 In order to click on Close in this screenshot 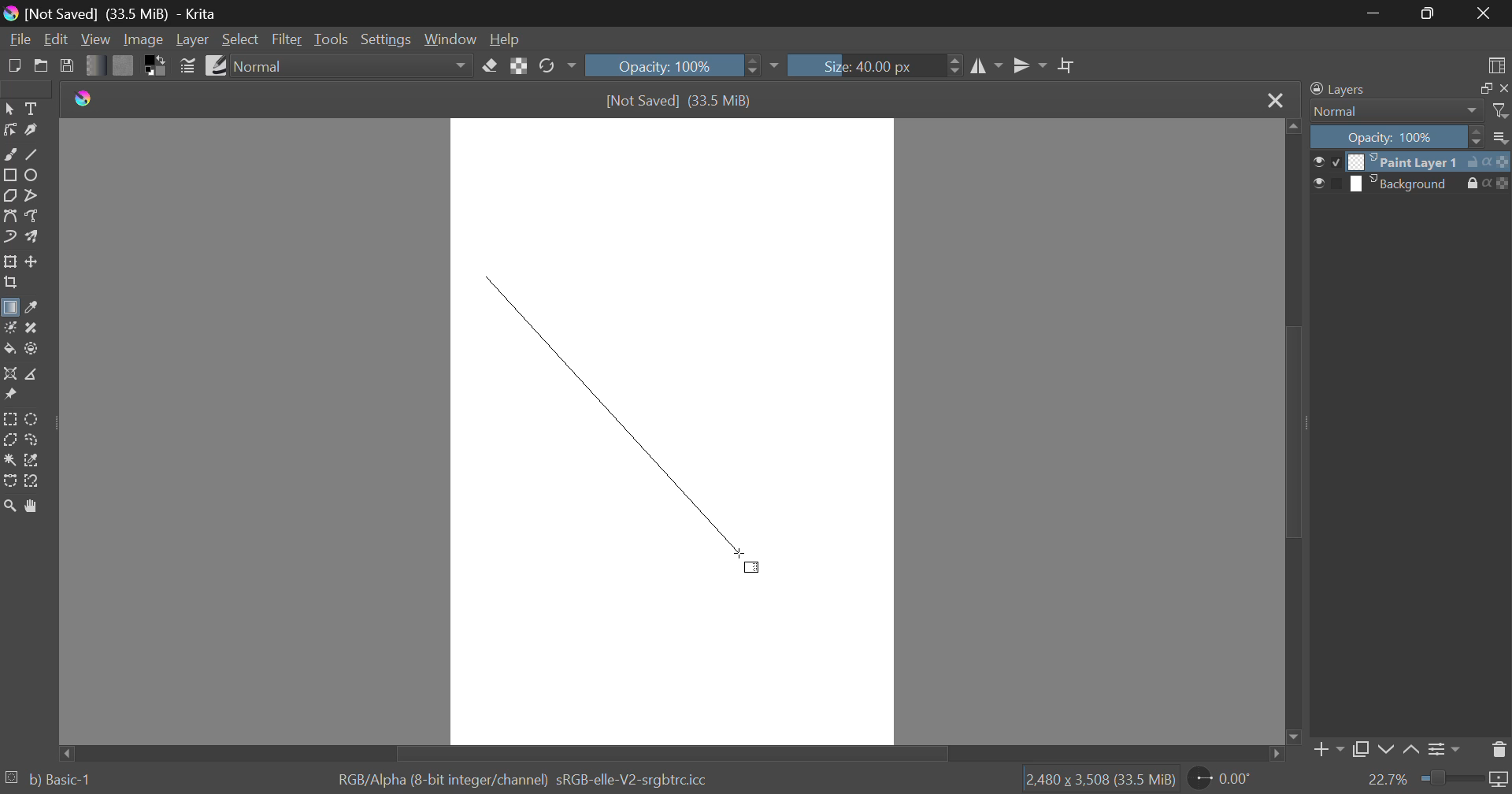, I will do `click(1488, 13)`.